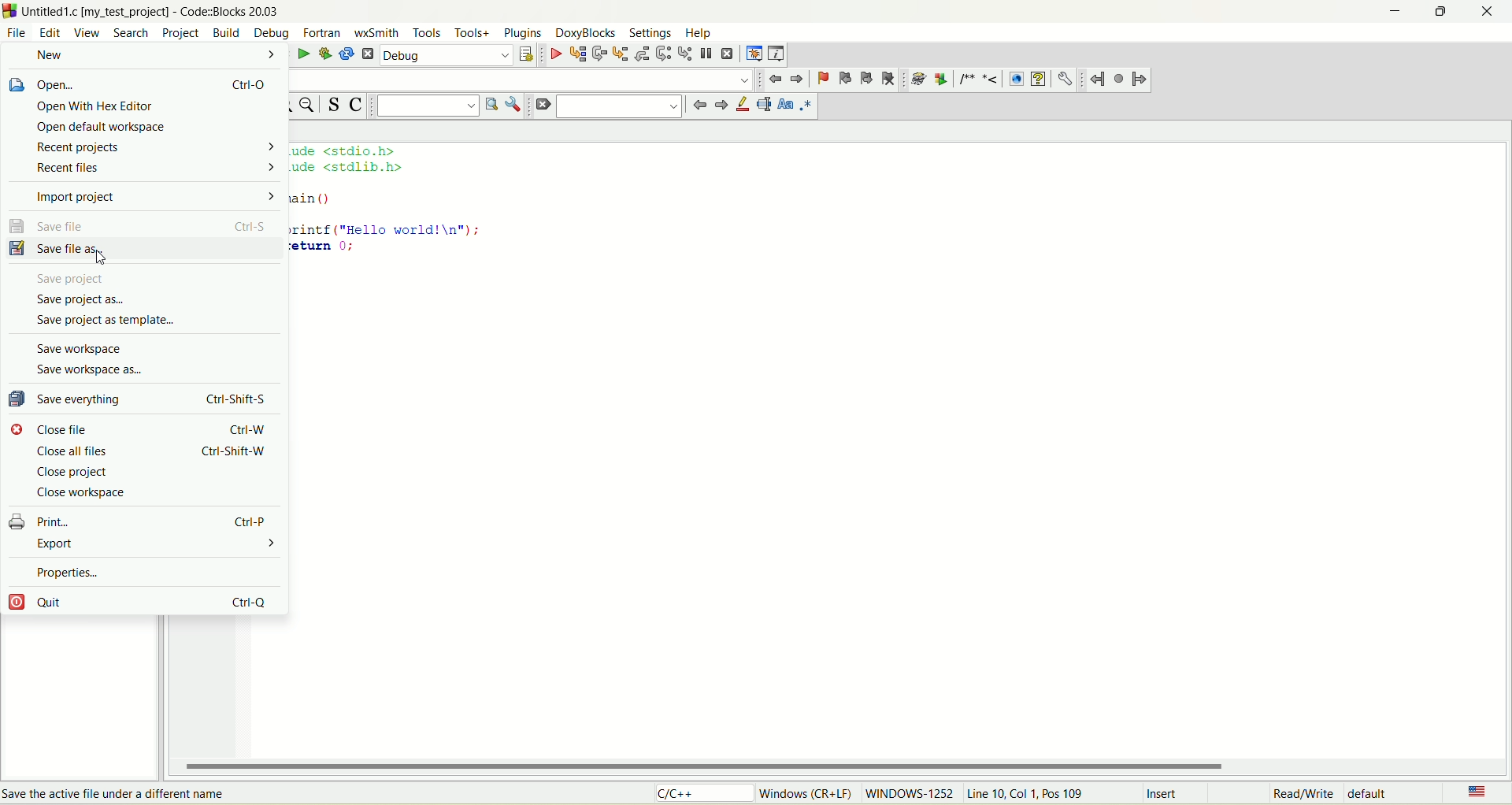 The width and height of the screenshot is (1512, 805). What do you see at coordinates (146, 599) in the screenshot?
I see `quit` at bounding box center [146, 599].